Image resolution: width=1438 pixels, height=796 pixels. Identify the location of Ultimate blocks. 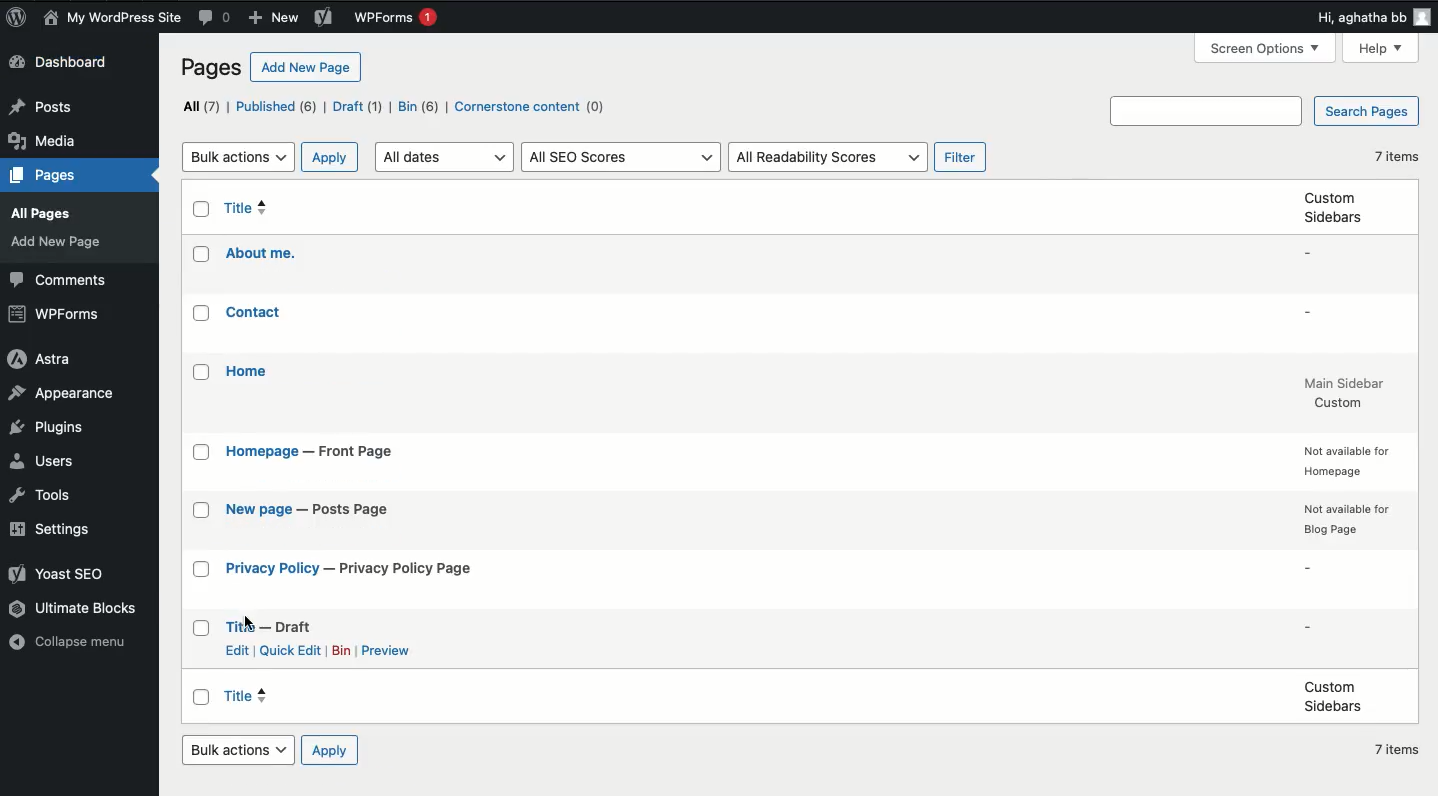
(77, 610).